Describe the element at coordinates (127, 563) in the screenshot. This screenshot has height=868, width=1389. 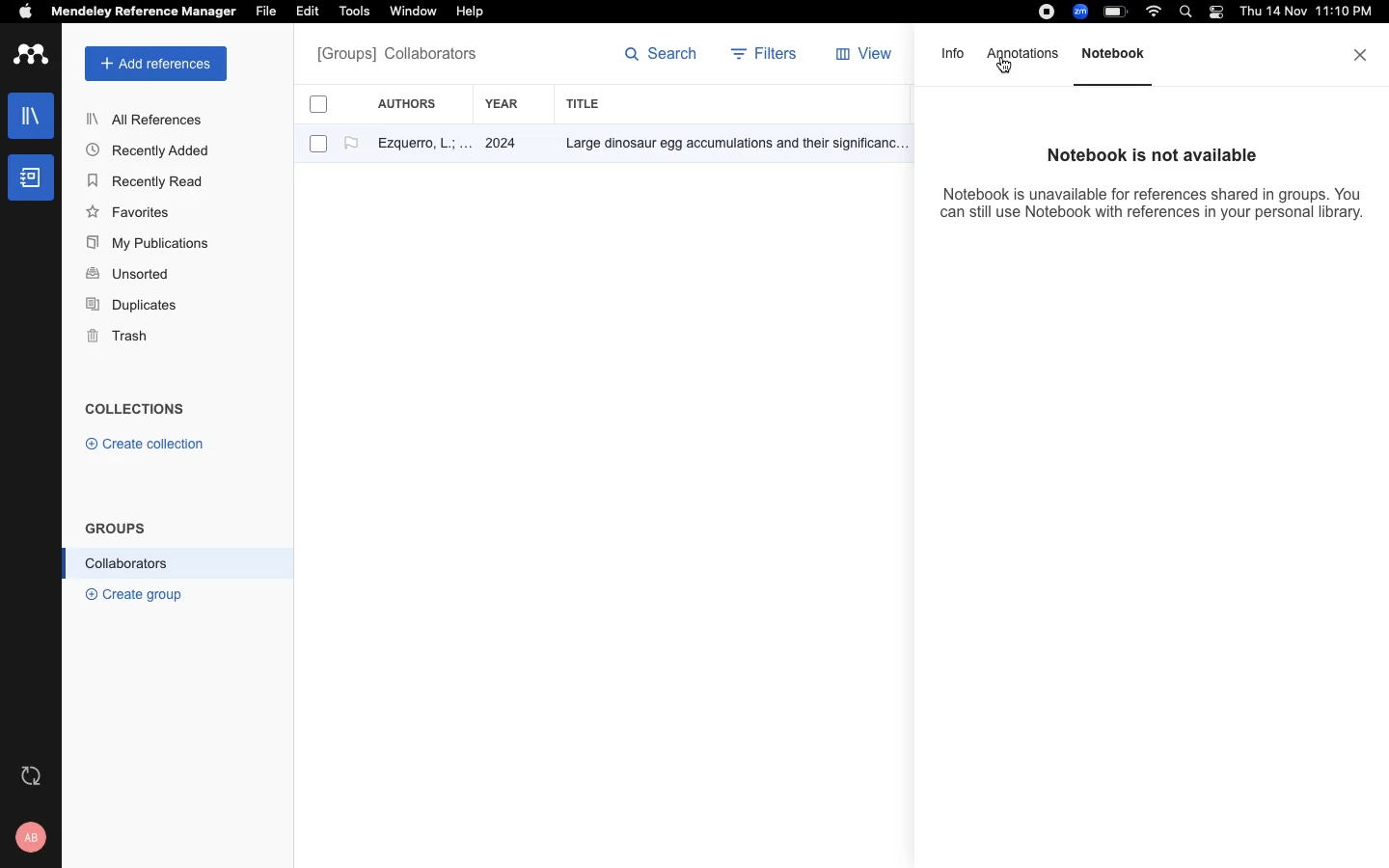
I see `Collaborators` at that location.